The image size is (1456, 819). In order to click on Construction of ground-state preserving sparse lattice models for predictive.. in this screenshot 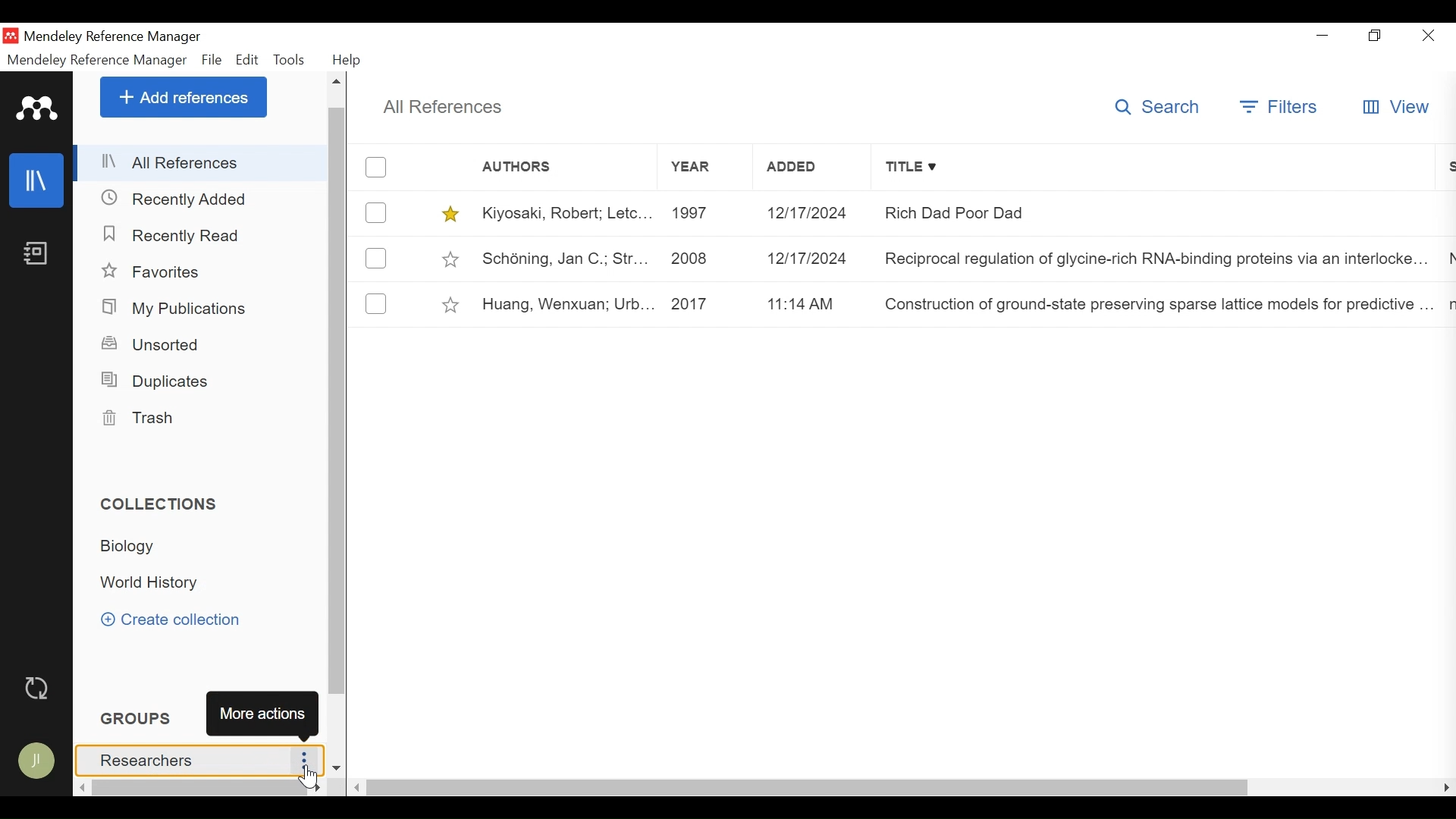, I will do `click(1157, 303)`.